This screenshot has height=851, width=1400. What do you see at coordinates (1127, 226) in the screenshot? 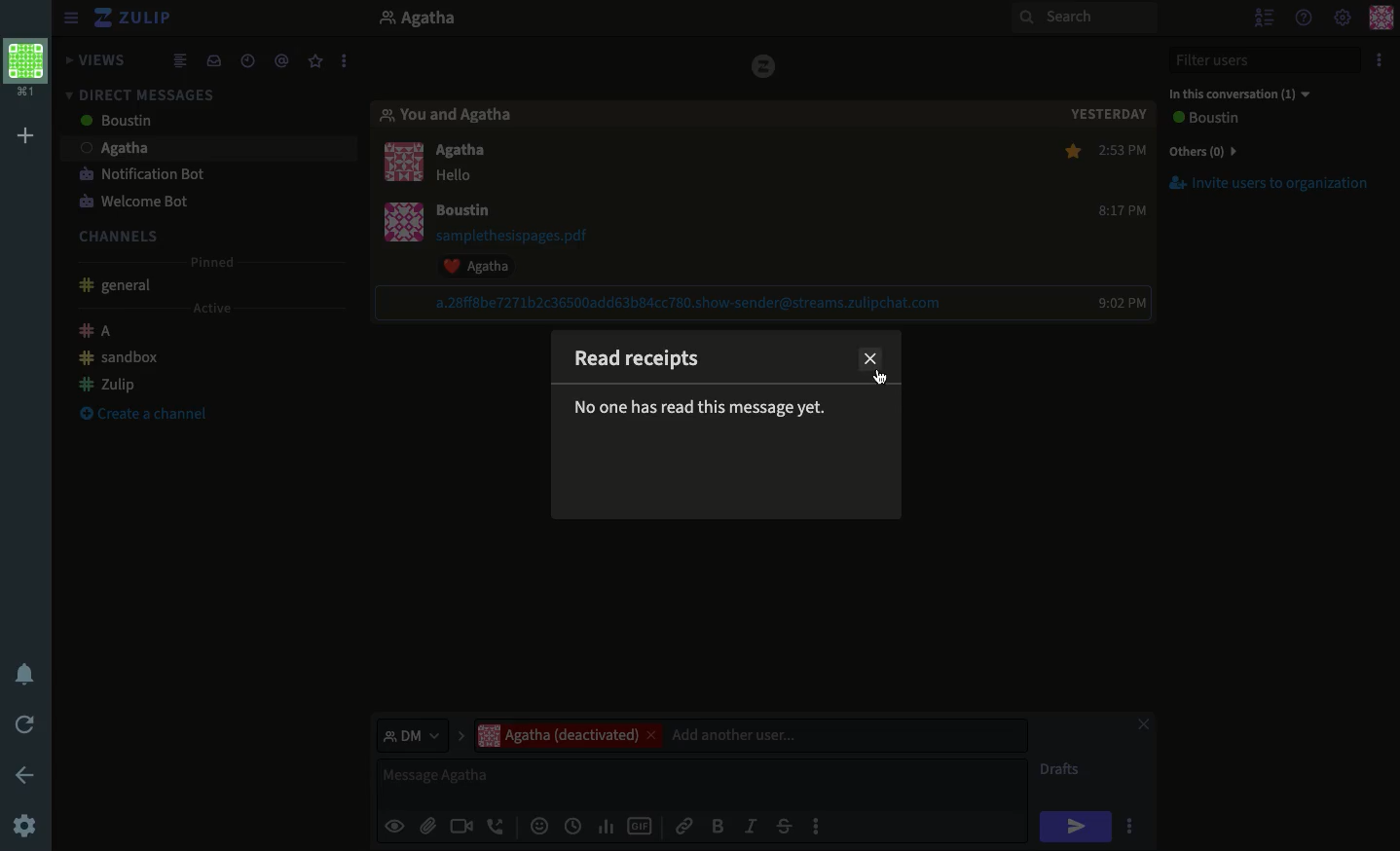
I see `Time` at bounding box center [1127, 226].